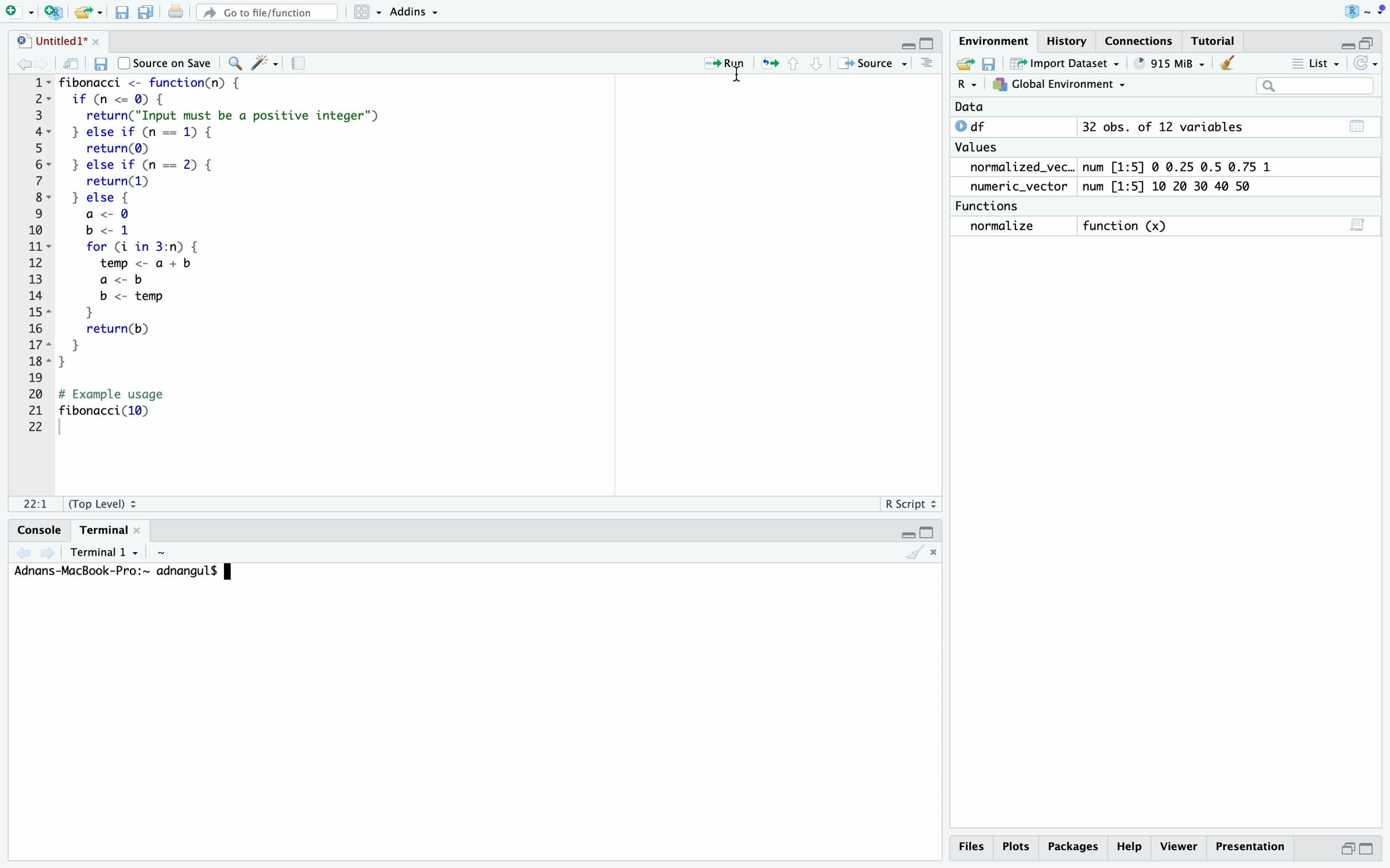  What do you see at coordinates (105, 553) in the screenshot?
I see `terminal 1` at bounding box center [105, 553].